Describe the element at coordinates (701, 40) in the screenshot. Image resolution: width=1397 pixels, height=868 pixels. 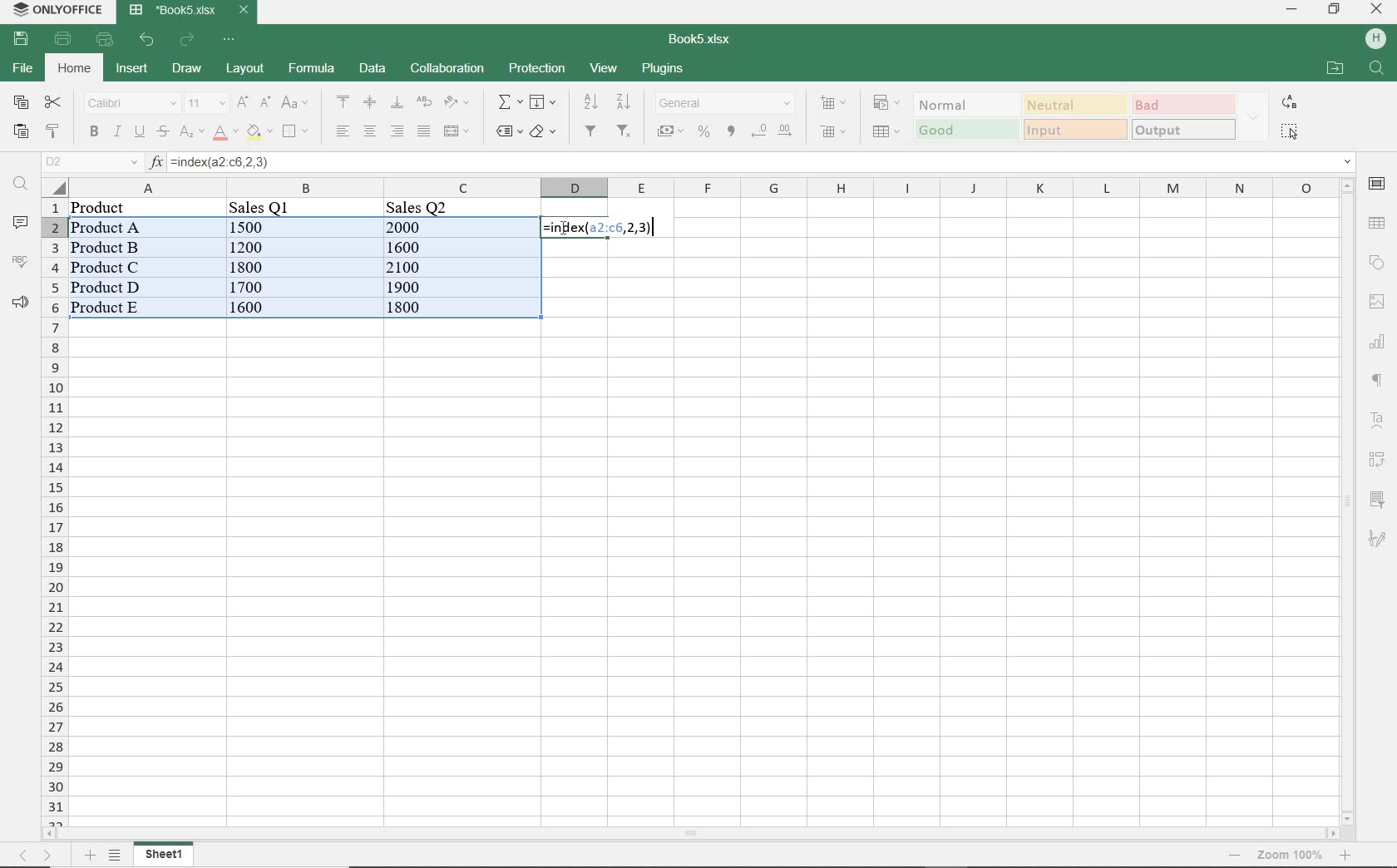
I see `document name` at that location.